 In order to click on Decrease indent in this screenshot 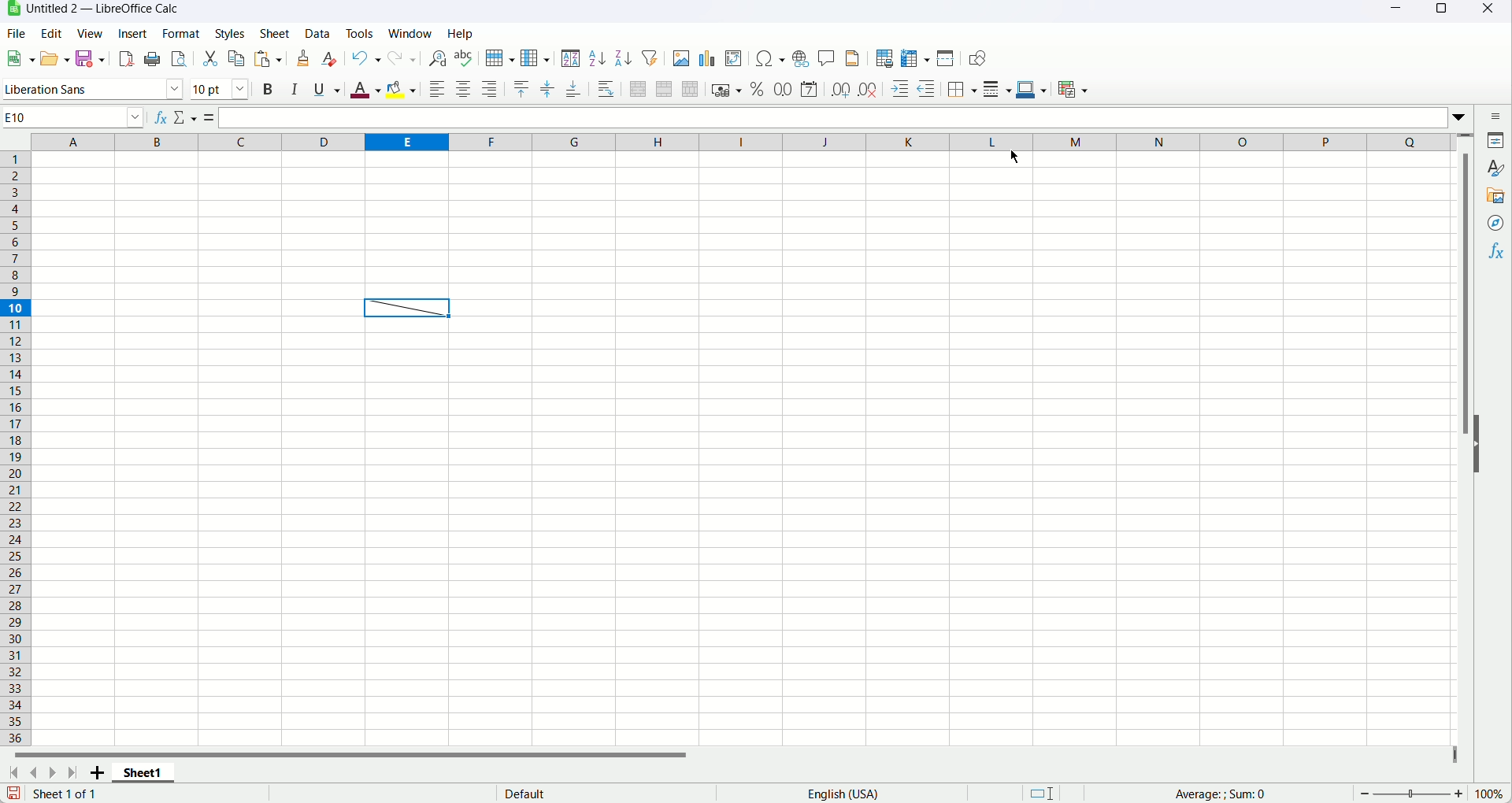, I will do `click(925, 89)`.